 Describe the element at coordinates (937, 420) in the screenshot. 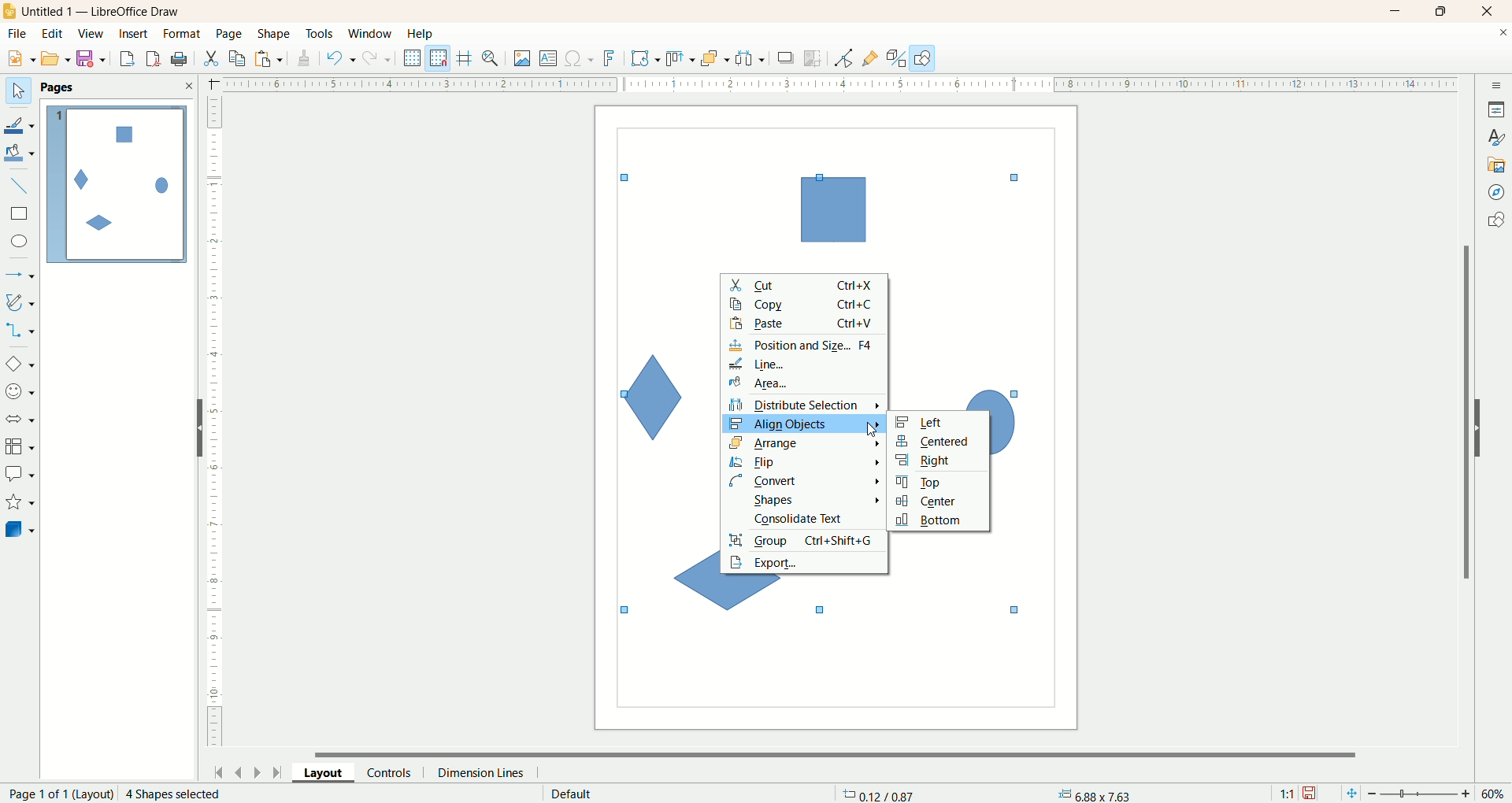

I see `left` at that location.